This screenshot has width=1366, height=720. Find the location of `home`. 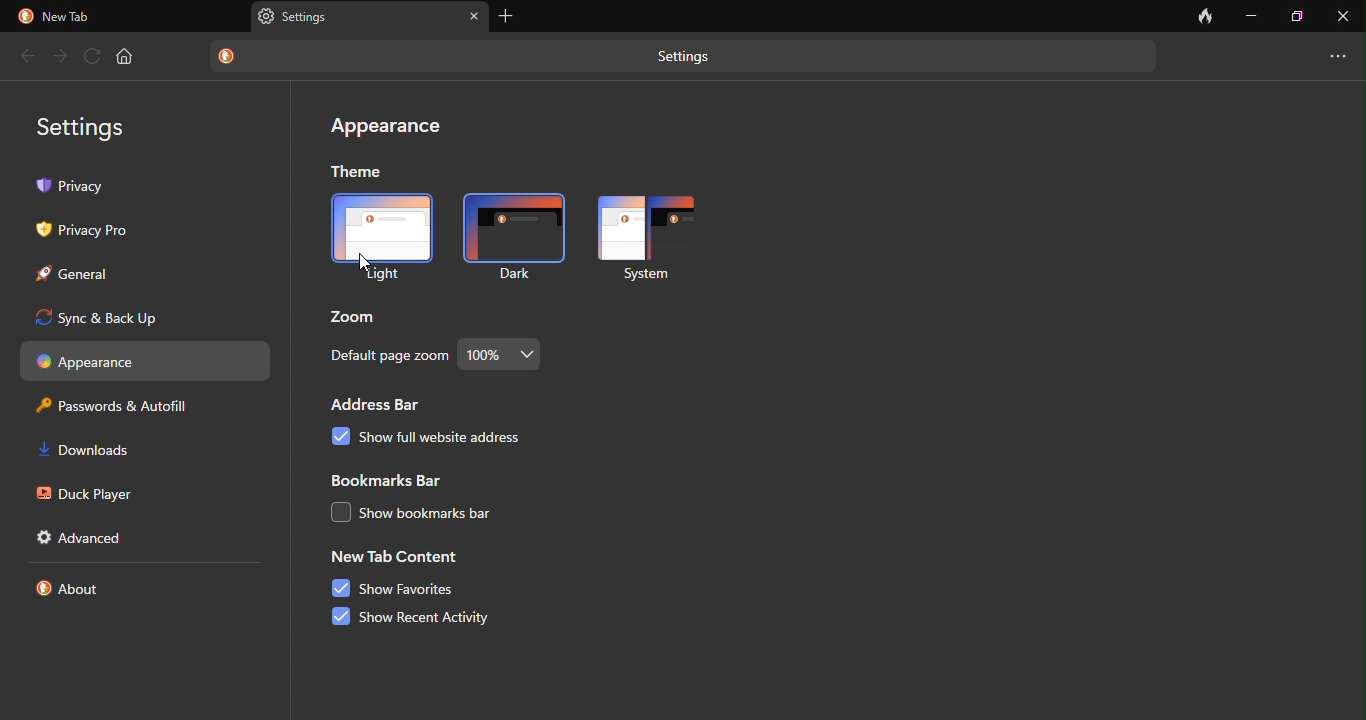

home is located at coordinates (127, 56).